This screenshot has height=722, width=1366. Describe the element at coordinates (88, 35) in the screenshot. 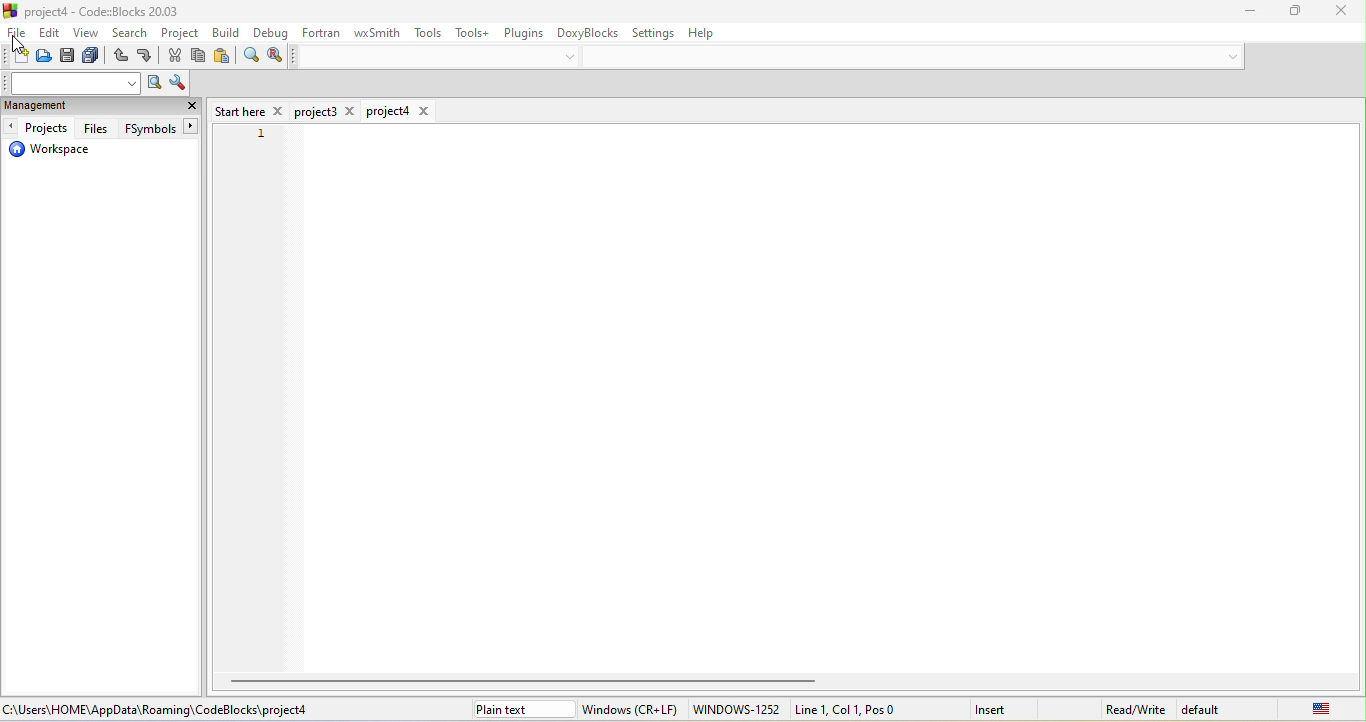

I see `view` at that location.